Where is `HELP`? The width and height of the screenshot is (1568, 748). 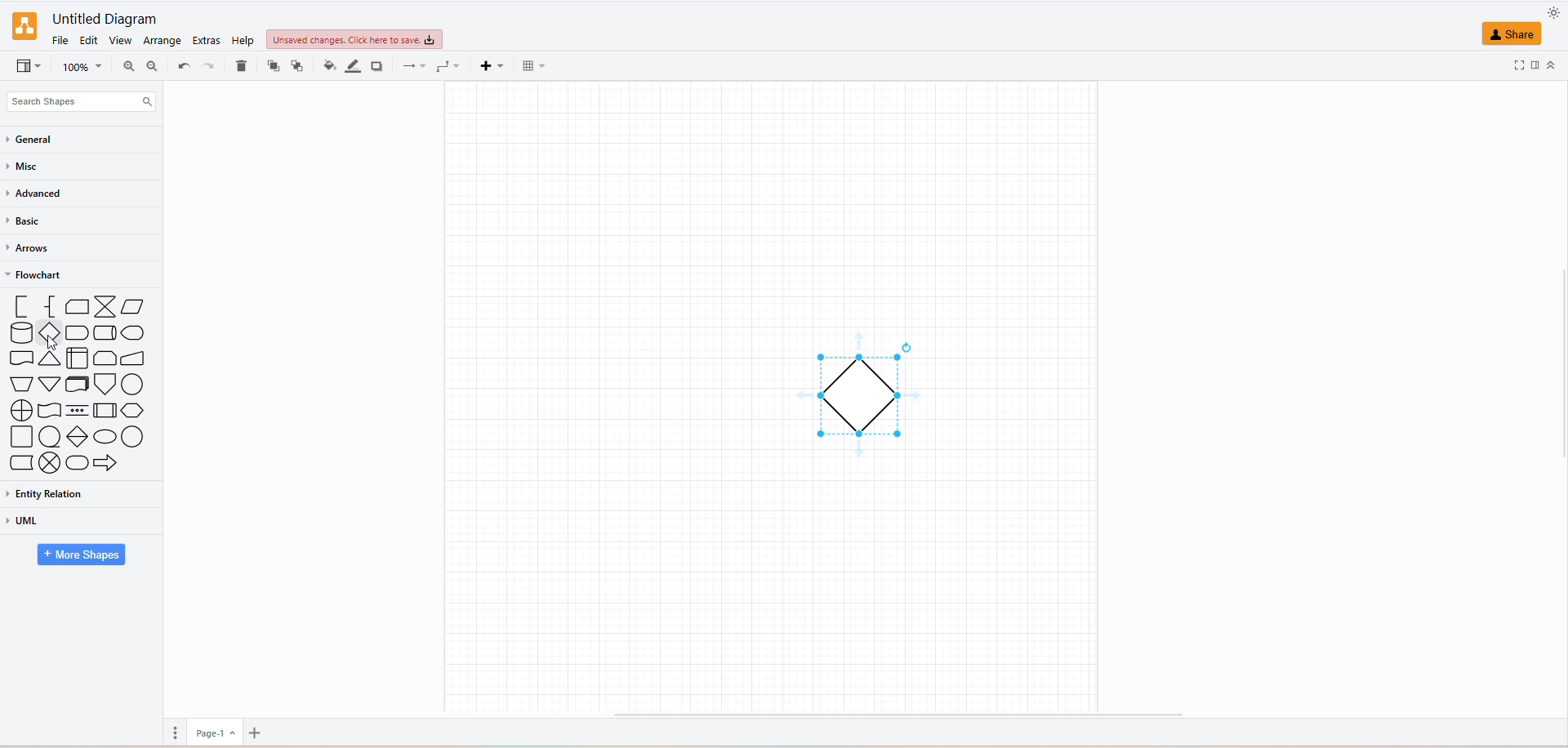
HELP is located at coordinates (241, 40).